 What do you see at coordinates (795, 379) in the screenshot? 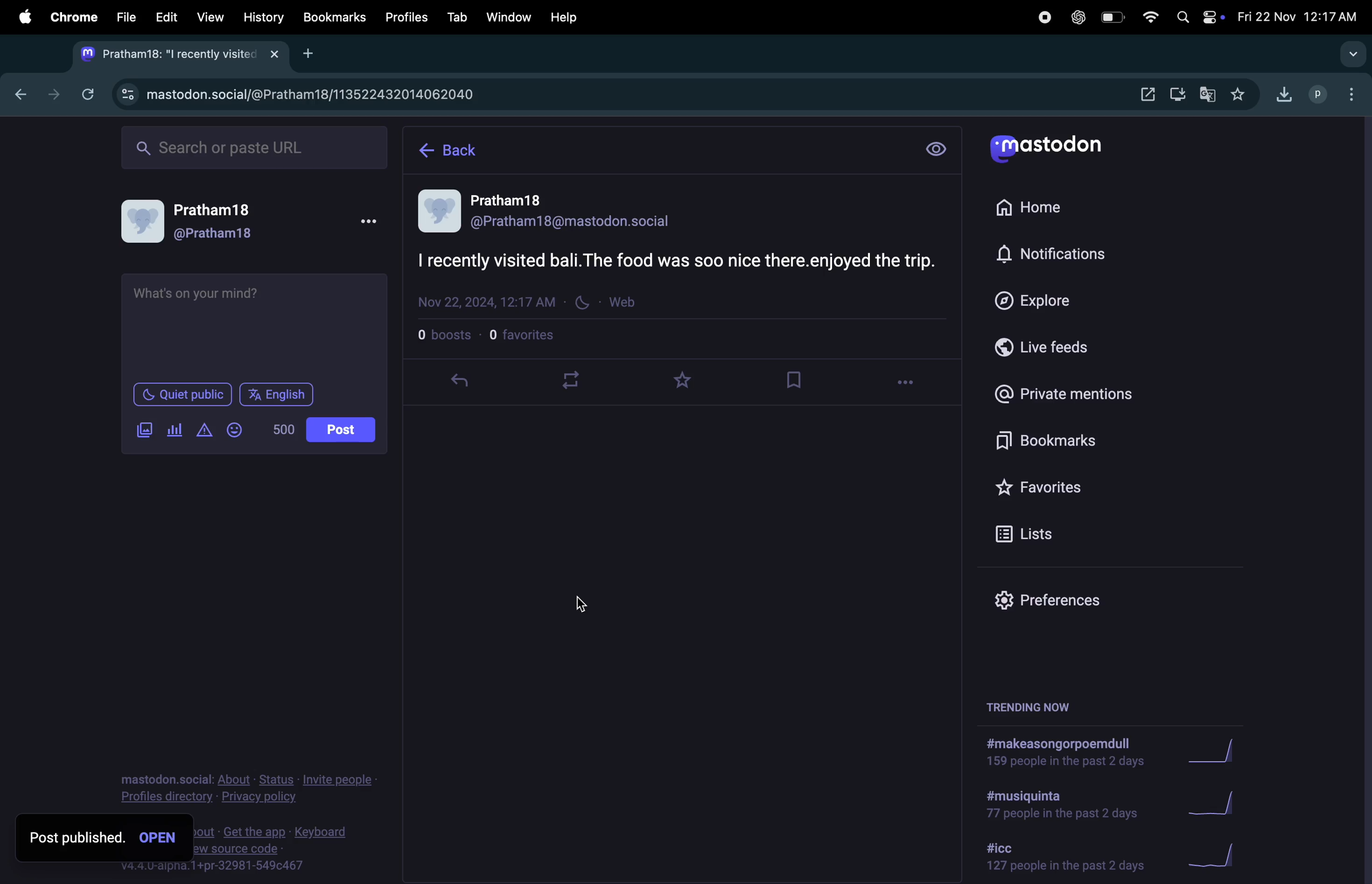
I see `bookmark` at bounding box center [795, 379].